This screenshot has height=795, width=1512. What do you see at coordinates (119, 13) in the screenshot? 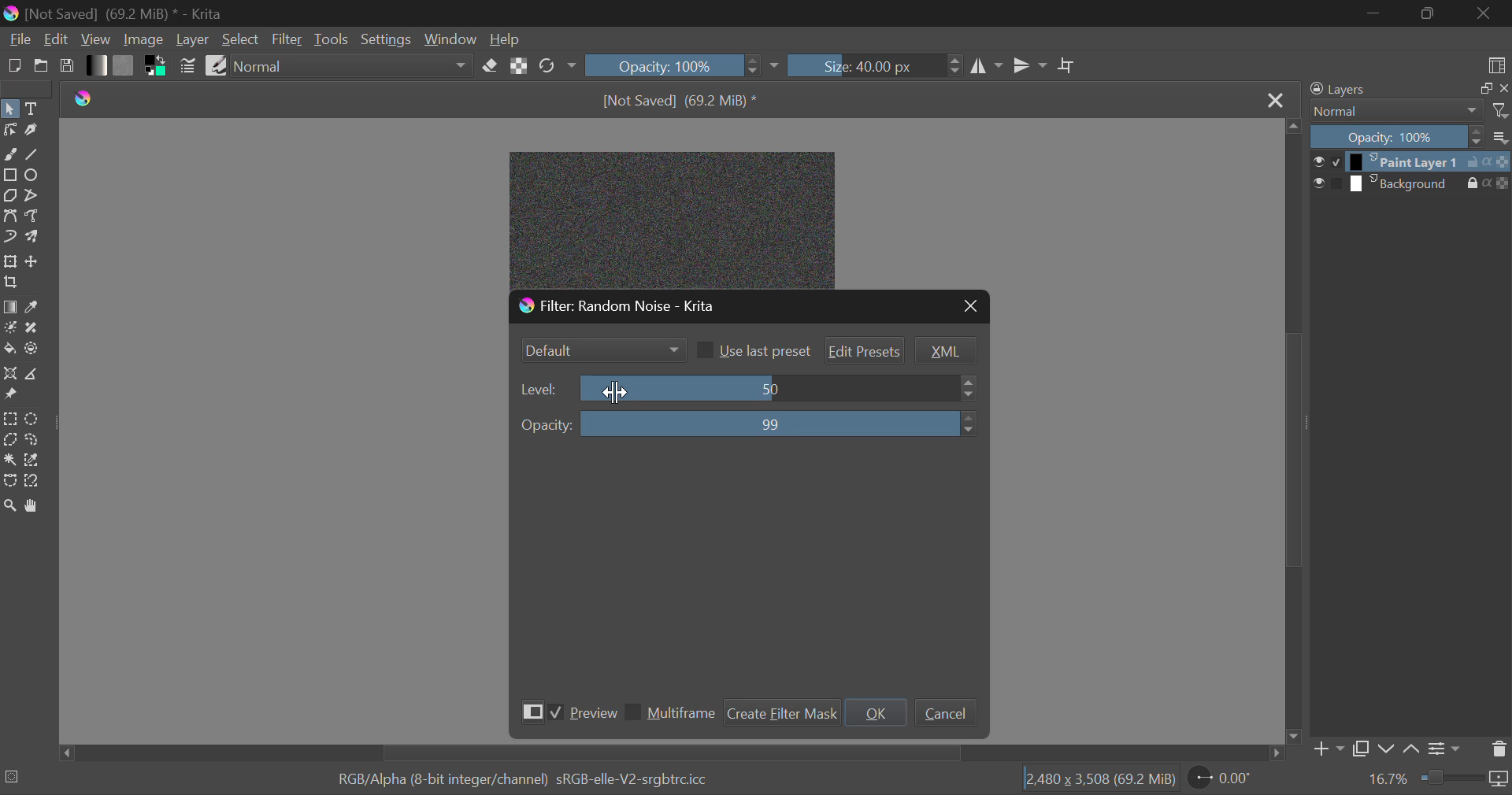
I see `[not saved] (69.2 mib)* - krita` at bounding box center [119, 13].